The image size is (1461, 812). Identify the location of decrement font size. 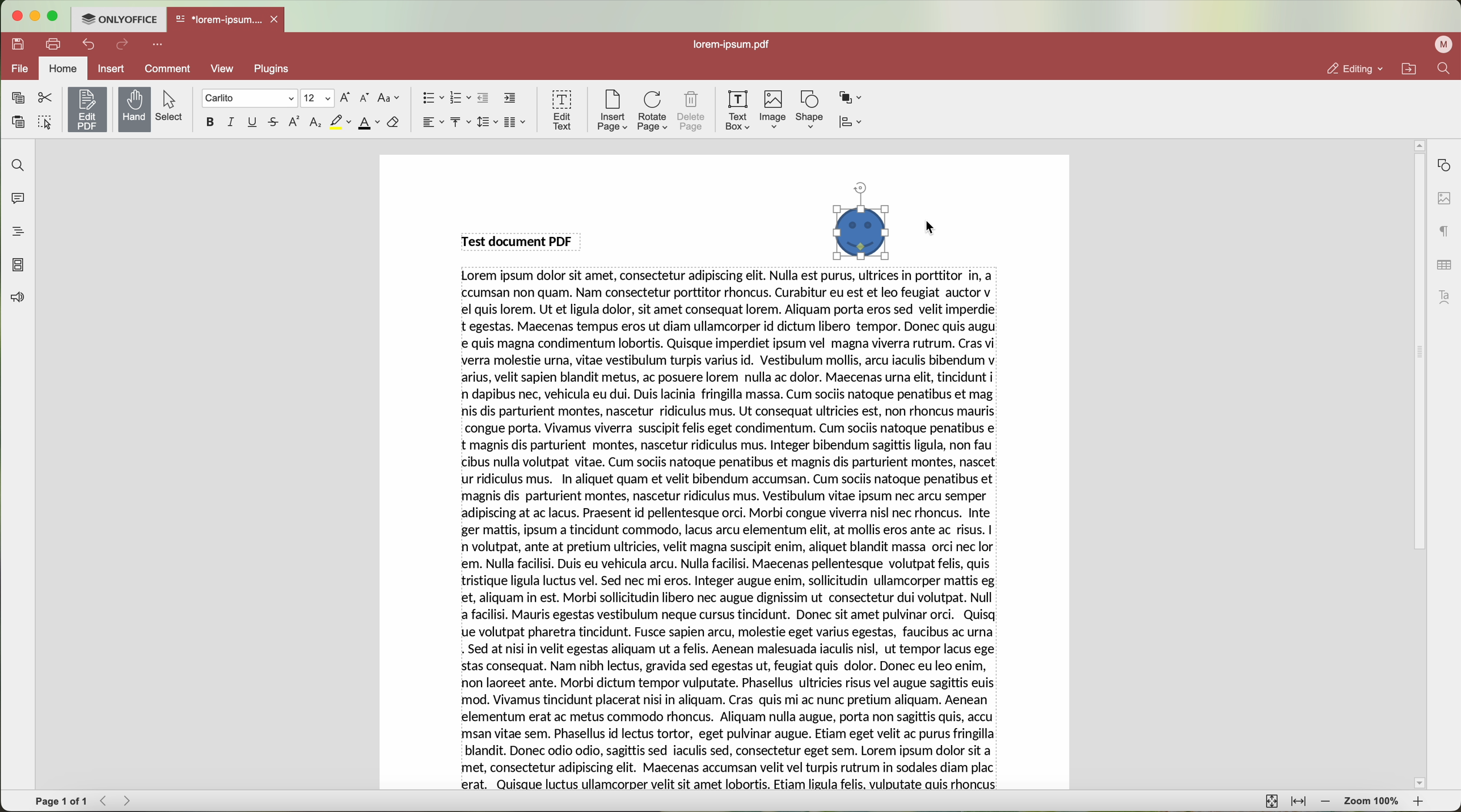
(364, 98).